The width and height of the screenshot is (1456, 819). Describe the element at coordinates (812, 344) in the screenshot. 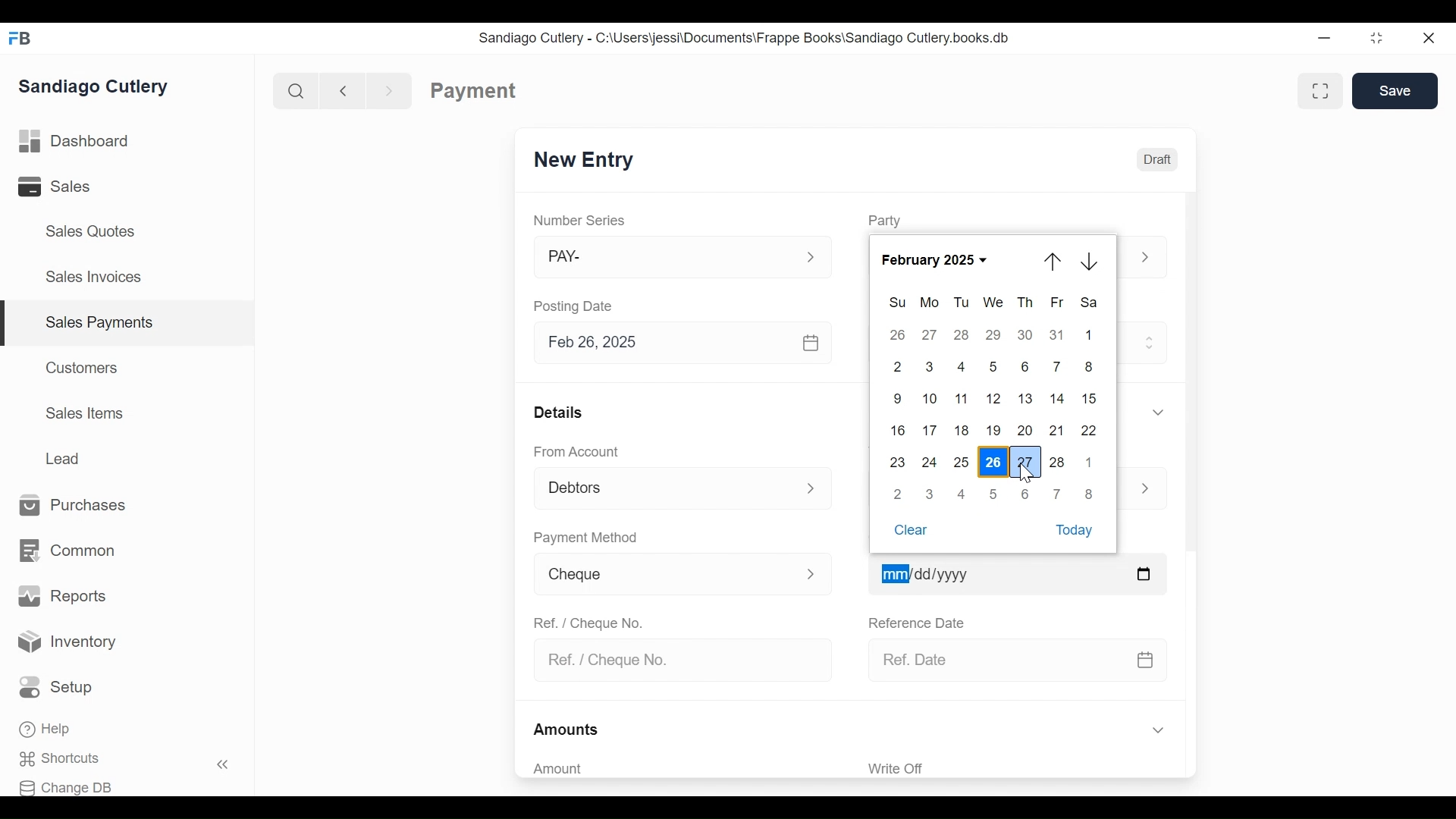

I see `Calendar` at that location.